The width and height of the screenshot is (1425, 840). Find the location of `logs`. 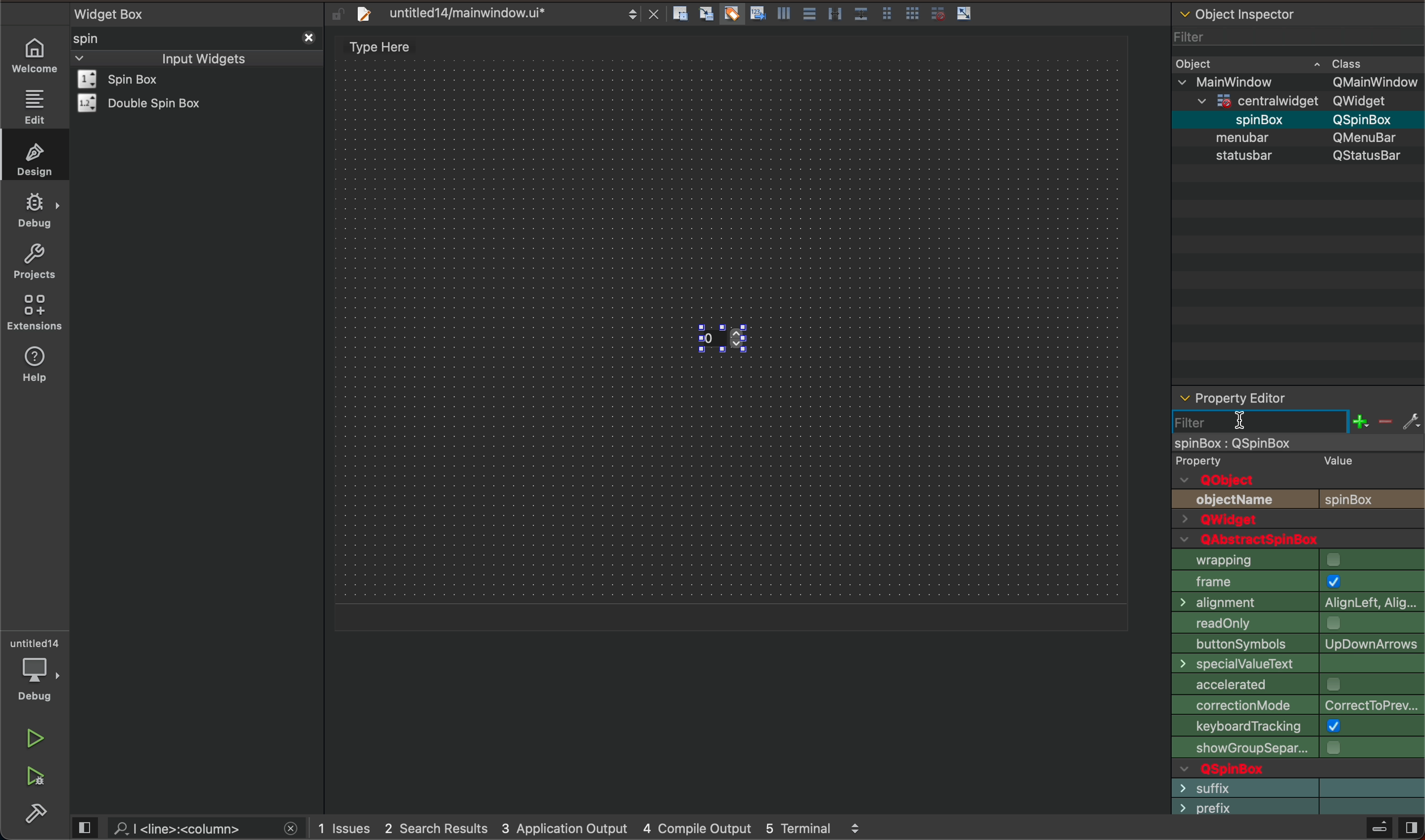

logs is located at coordinates (601, 829).